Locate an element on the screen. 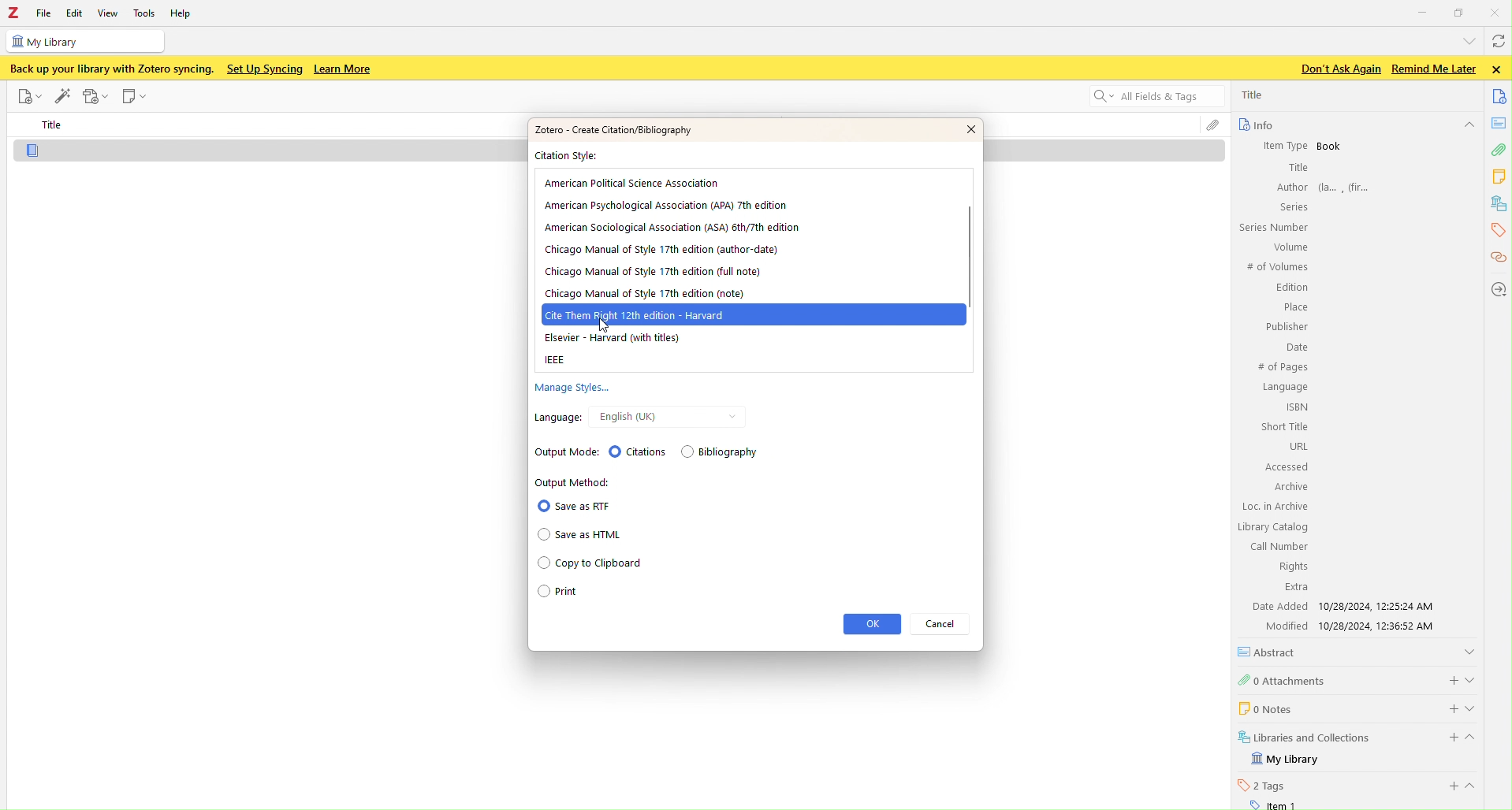 The height and width of the screenshot is (810, 1512). ok is located at coordinates (872, 624).